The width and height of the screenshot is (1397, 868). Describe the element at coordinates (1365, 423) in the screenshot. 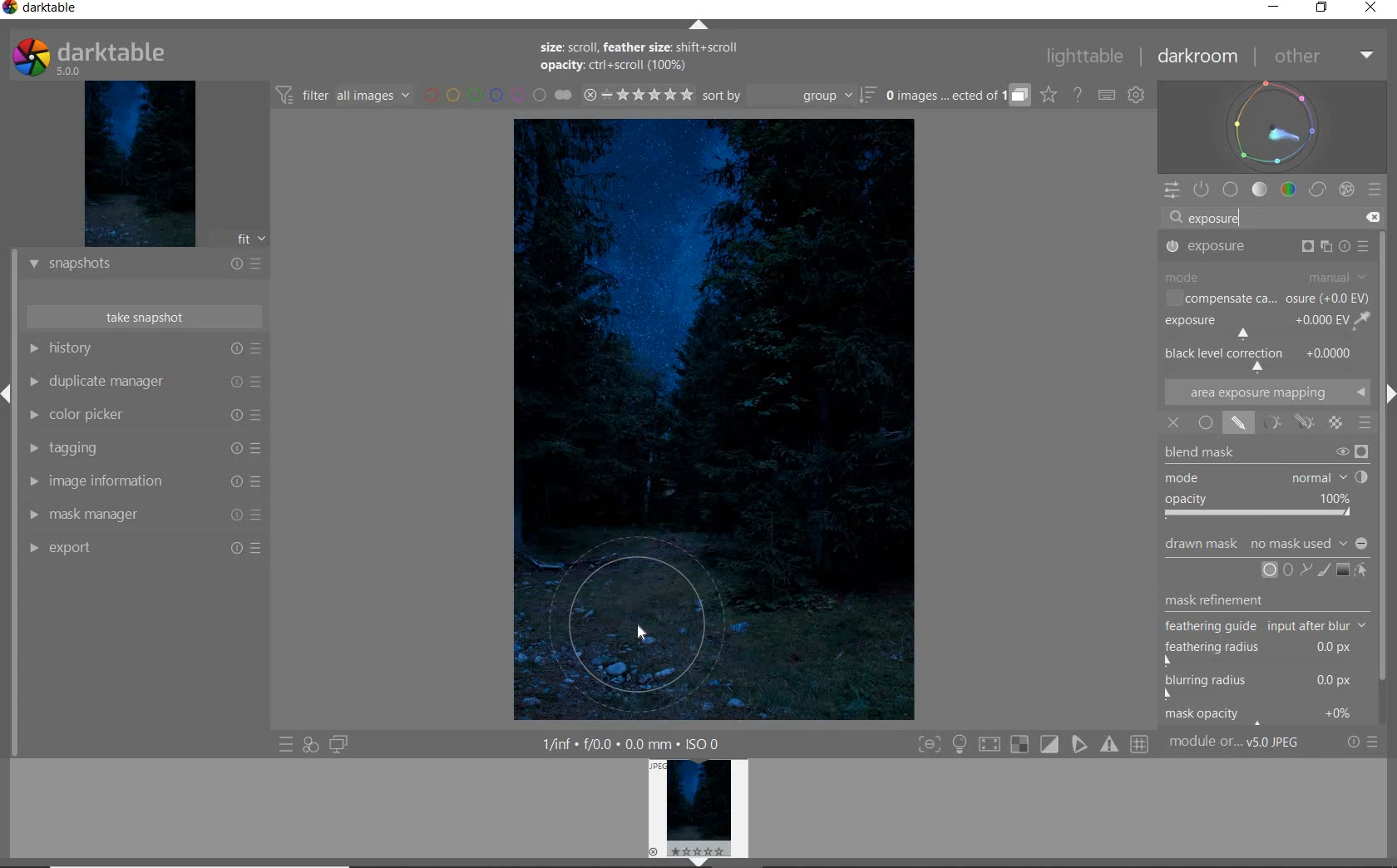

I see `BLENDING OPTIONS` at that location.